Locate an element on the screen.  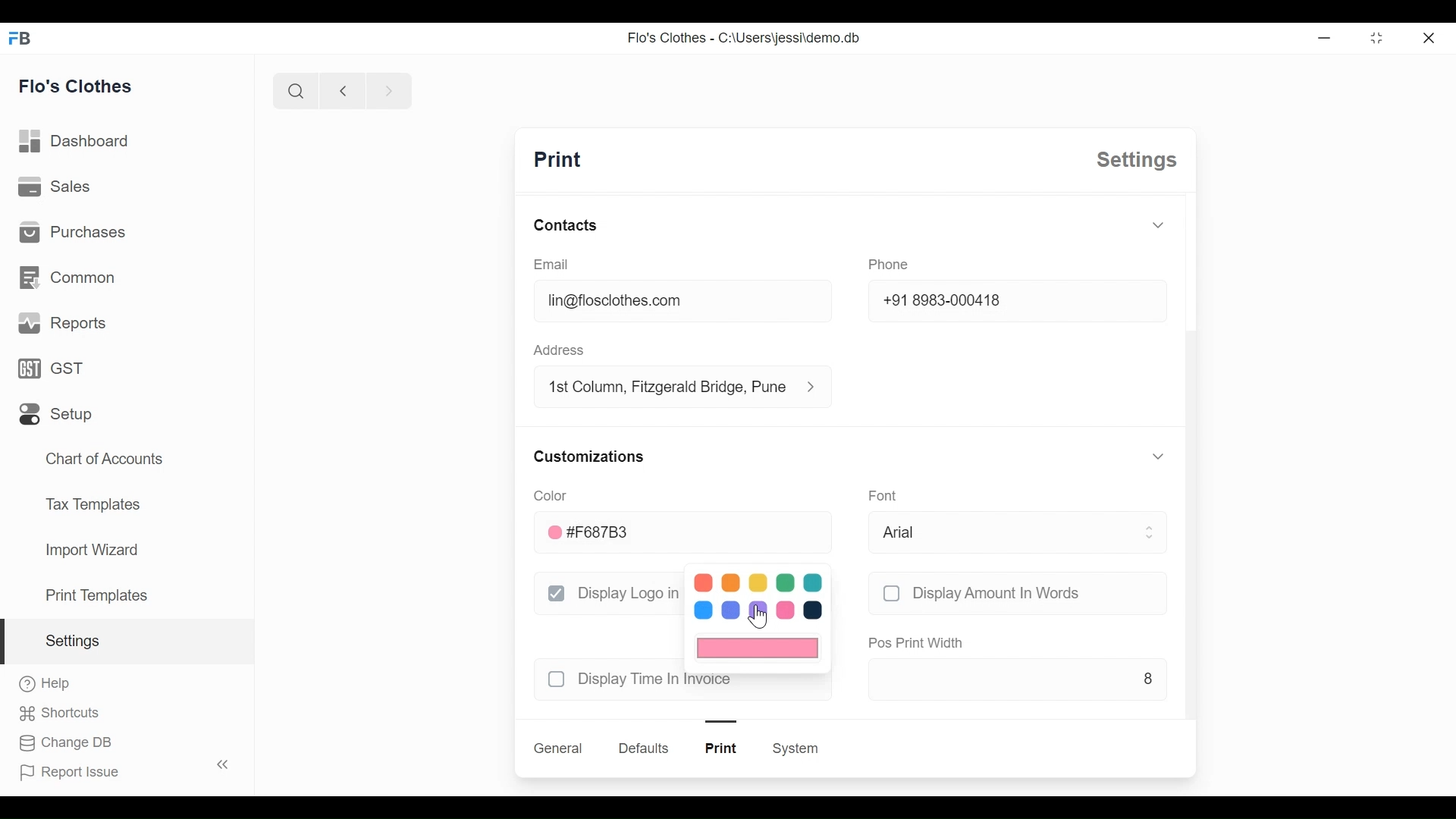
print is located at coordinates (557, 160).